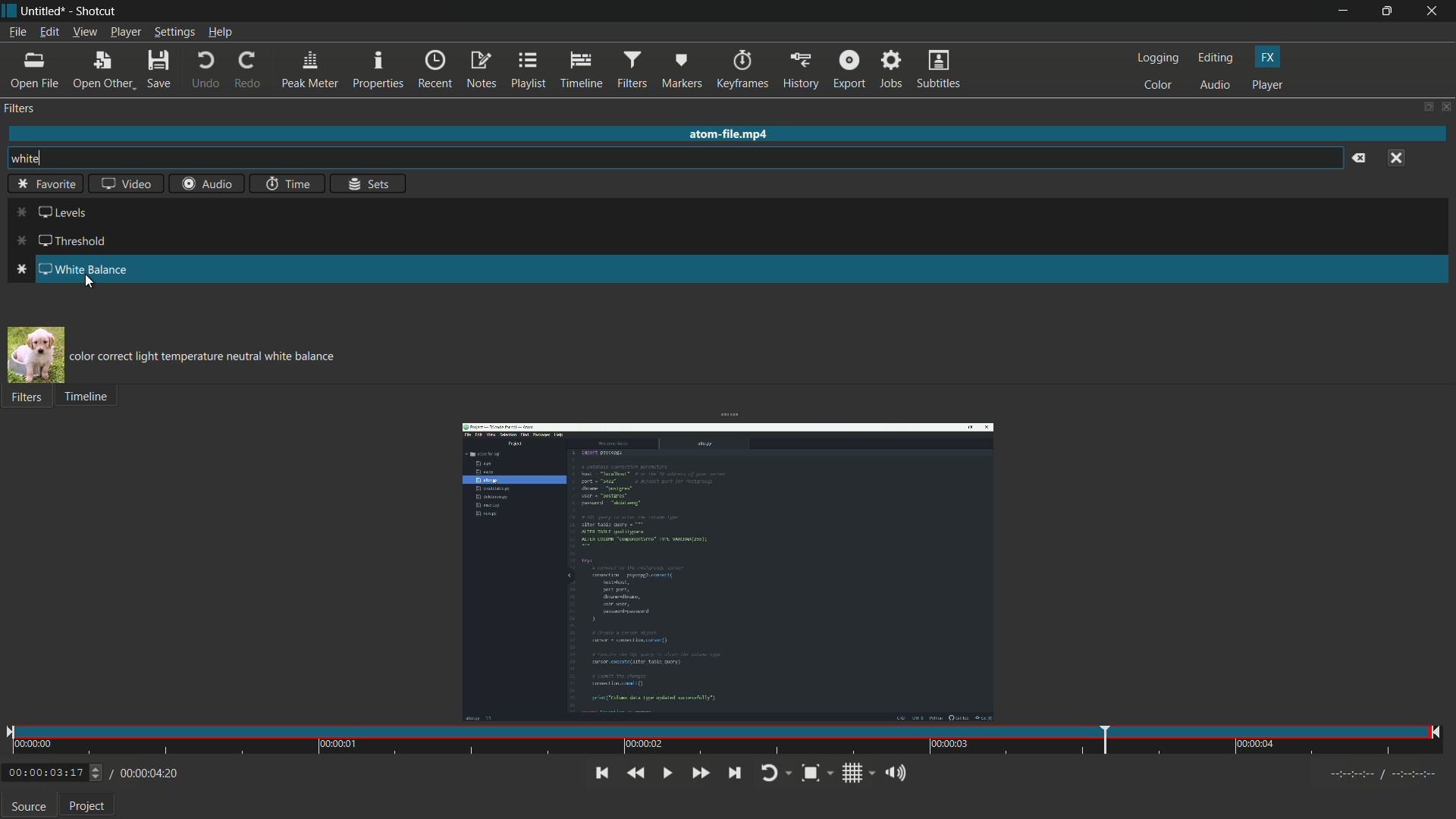 The width and height of the screenshot is (1456, 819). What do you see at coordinates (481, 71) in the screenshot?
I see `notes` at bounding box center [481, 71].